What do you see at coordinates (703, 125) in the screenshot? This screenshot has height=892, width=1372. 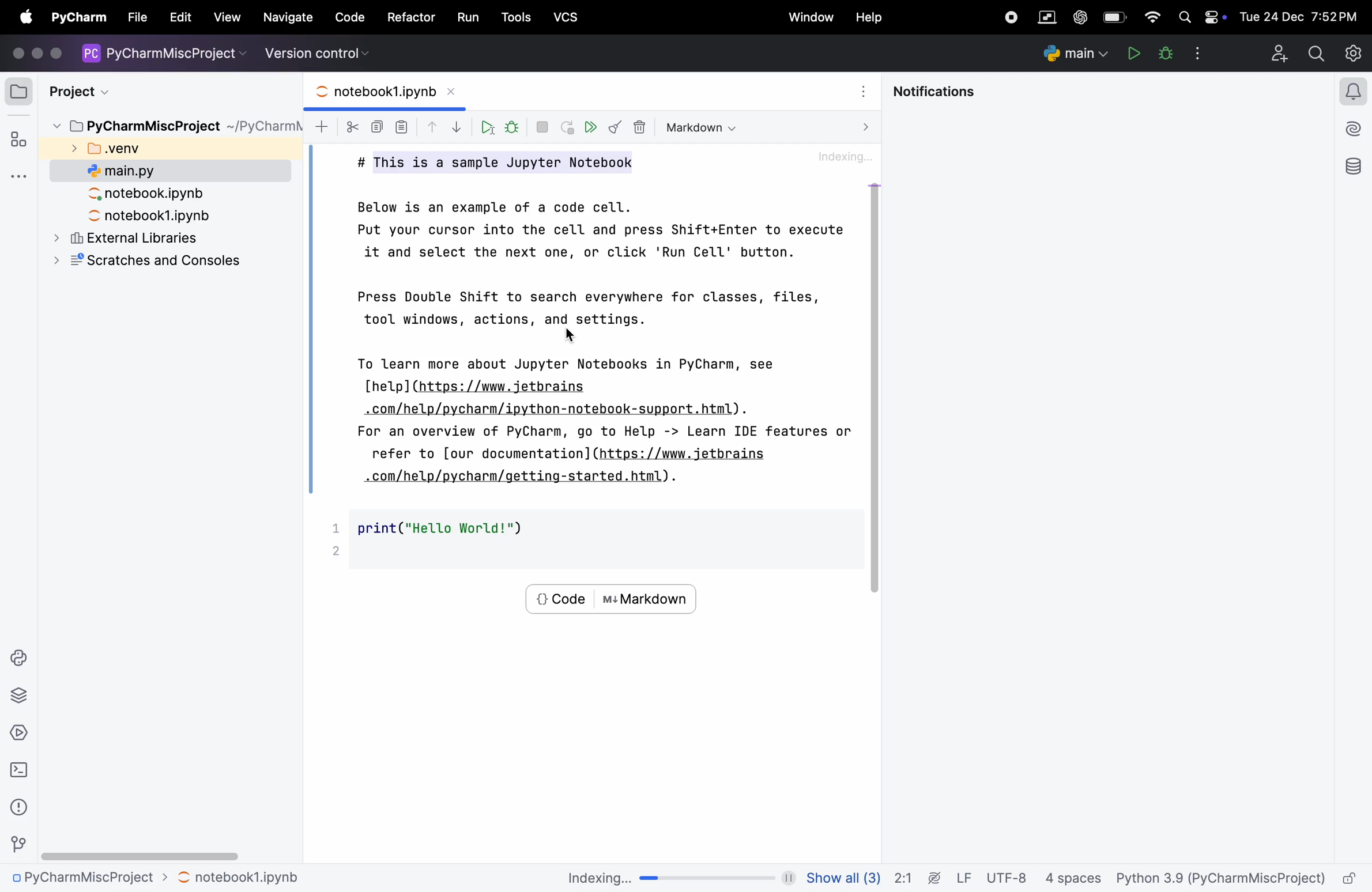 I see `markdown` at bounding box center [703, 125].